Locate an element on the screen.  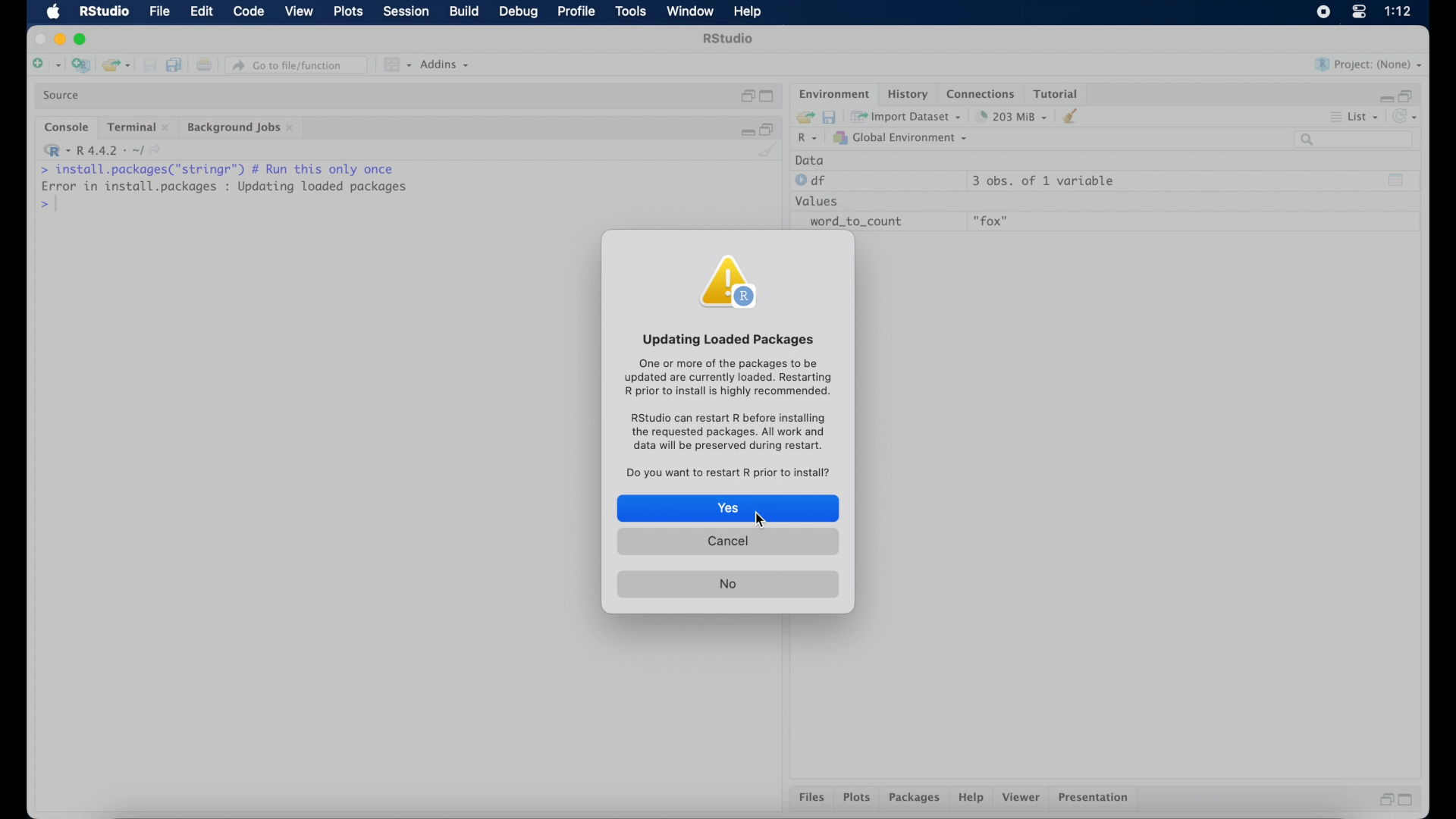
session is located at coordinates (405, 12).